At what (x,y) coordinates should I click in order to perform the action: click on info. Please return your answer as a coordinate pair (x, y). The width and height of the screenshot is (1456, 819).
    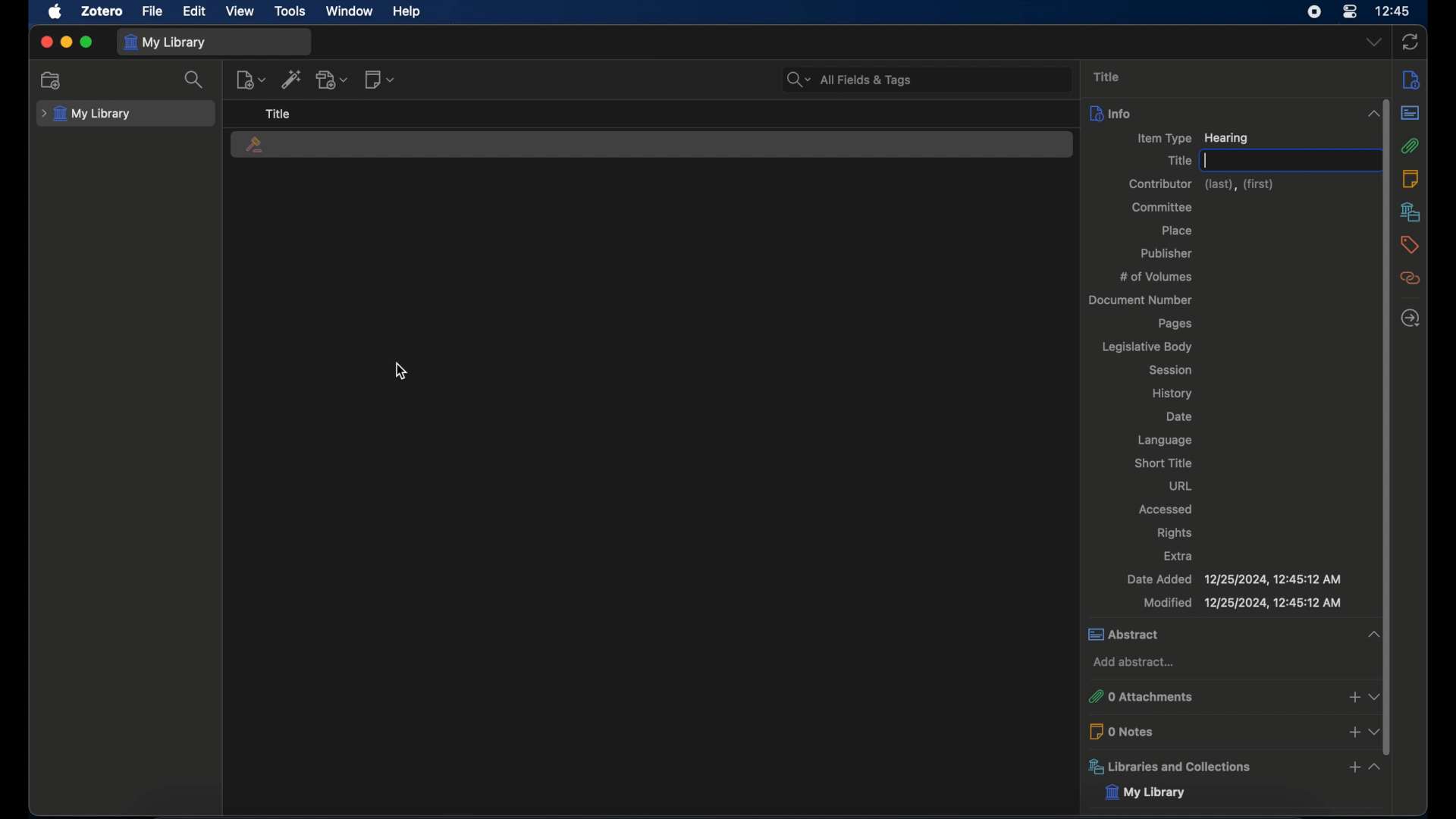
    Looking at the image, I should click on (1235, 113).